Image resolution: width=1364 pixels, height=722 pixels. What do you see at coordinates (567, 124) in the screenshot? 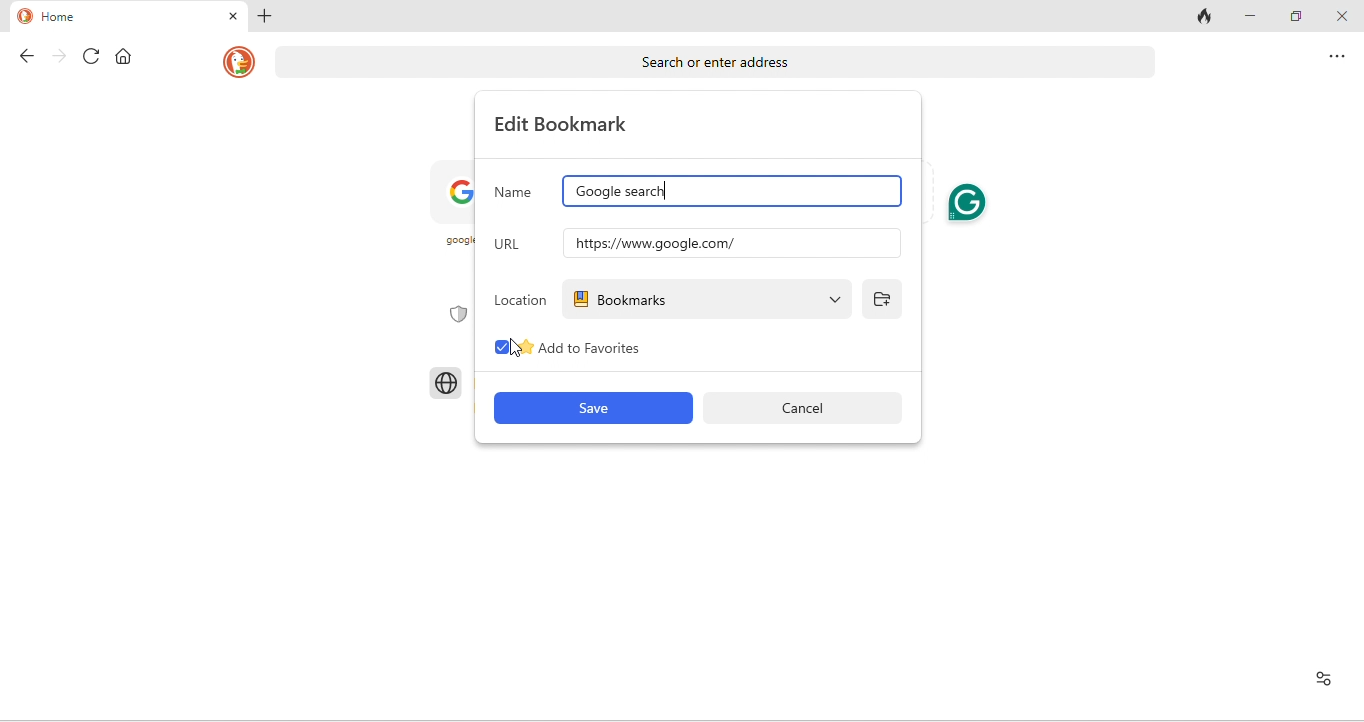
I see `edit bookmark` at bounding box center [567, 124].